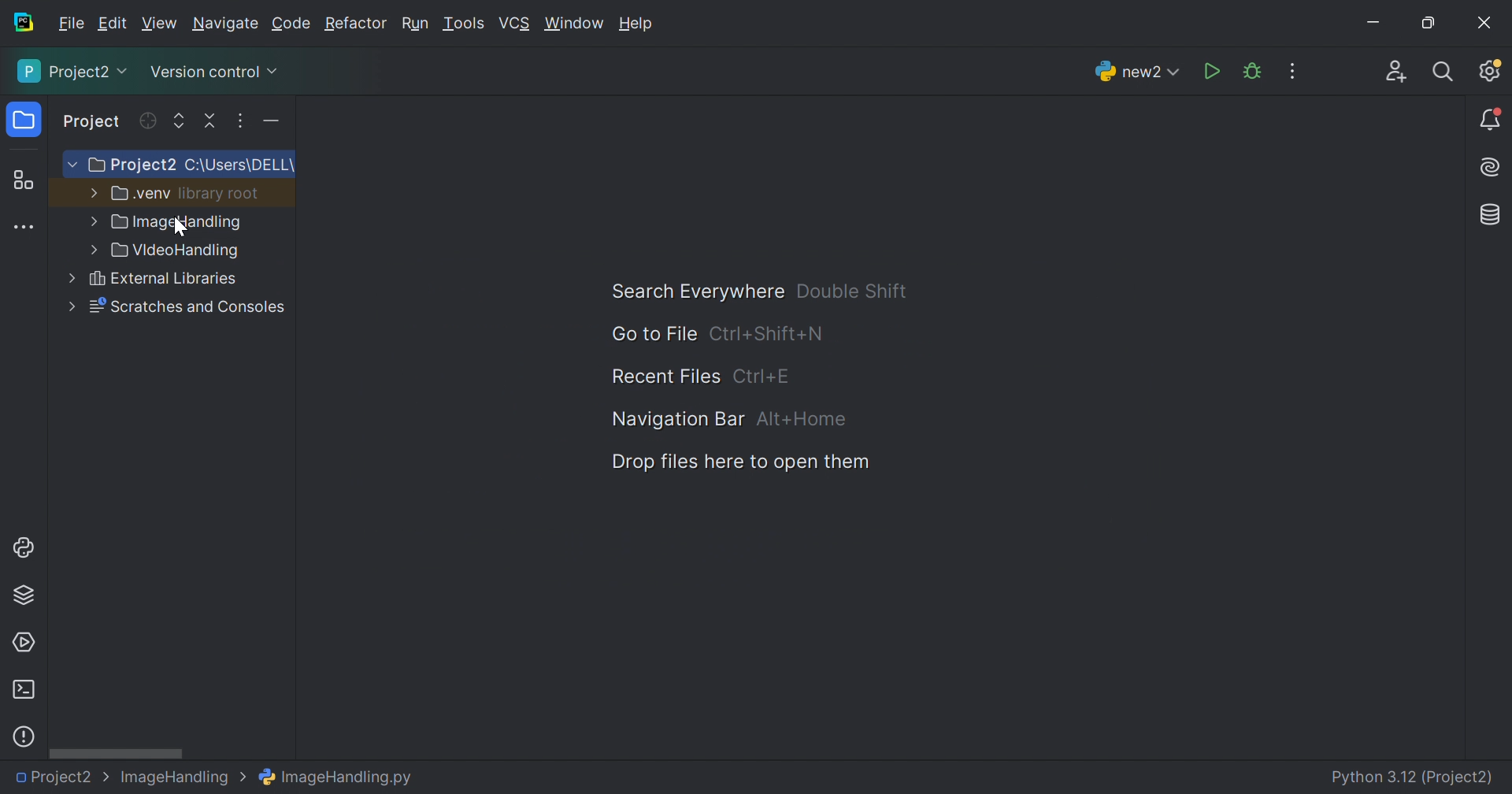 The width and height of the screenshot is (1512, 794). I want to click on Search Everywhere, so click(690, 292).